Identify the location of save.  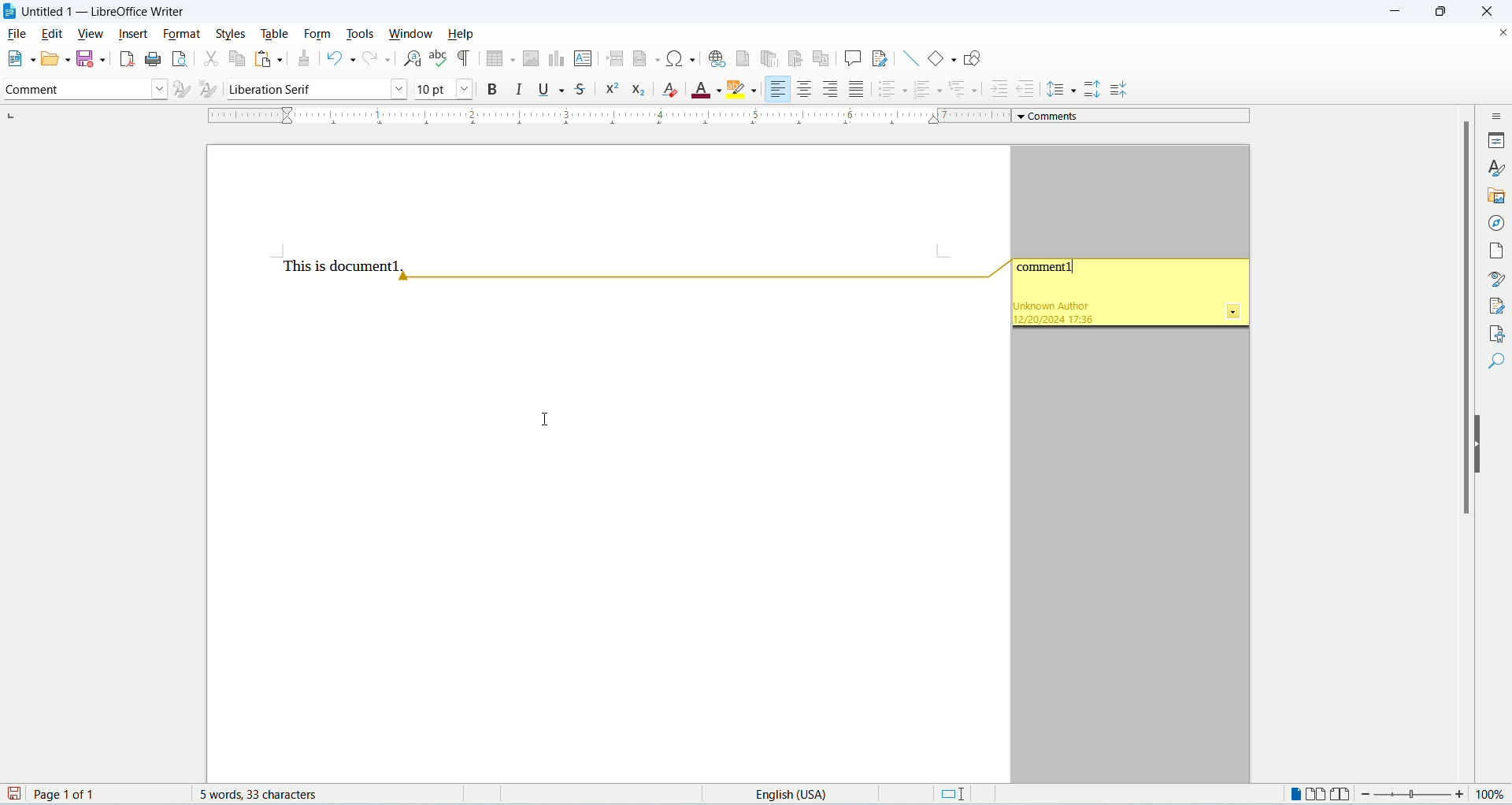
(90, 57).